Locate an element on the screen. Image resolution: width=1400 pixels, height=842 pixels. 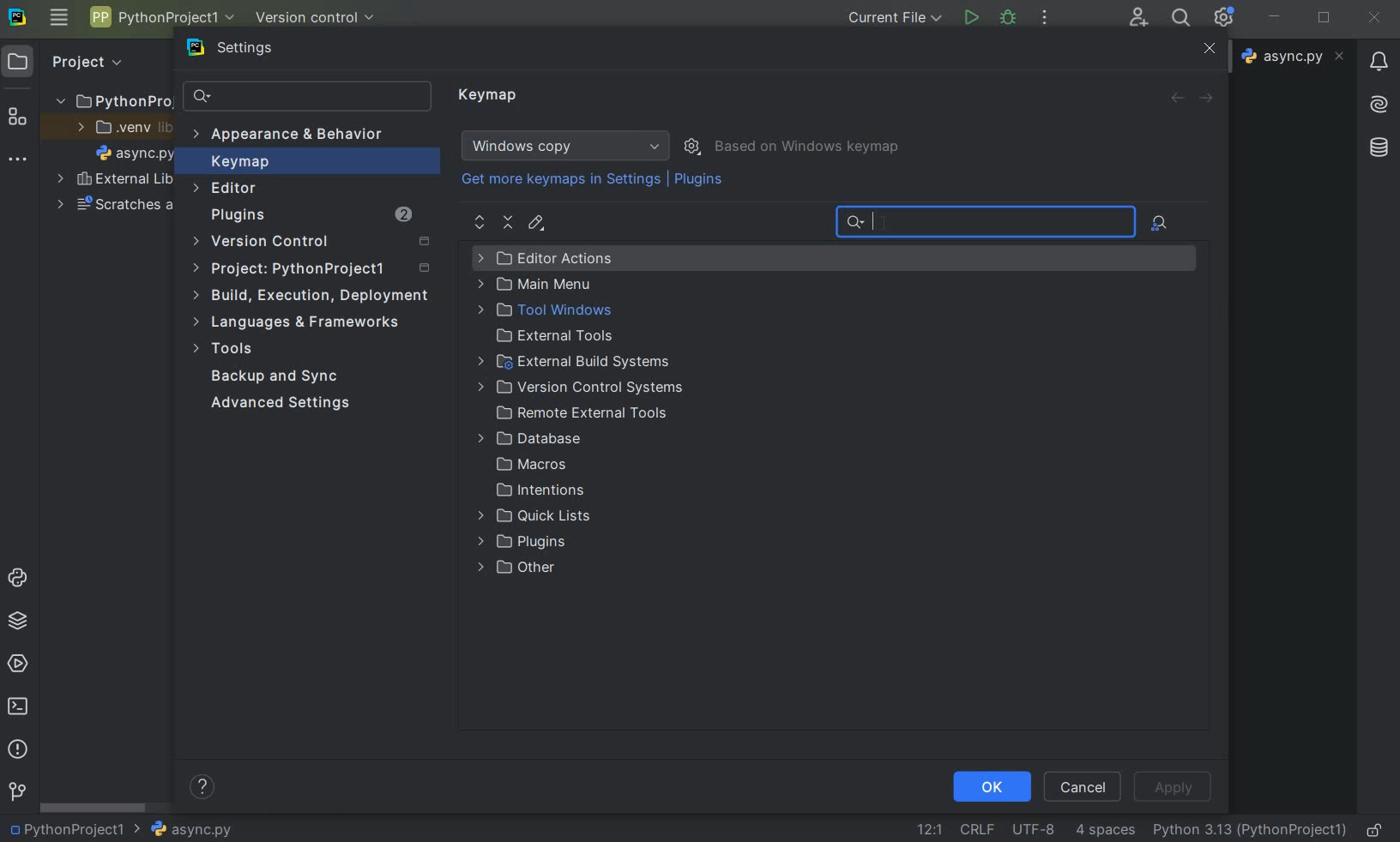
go to line is located at coordinates (929, 829).